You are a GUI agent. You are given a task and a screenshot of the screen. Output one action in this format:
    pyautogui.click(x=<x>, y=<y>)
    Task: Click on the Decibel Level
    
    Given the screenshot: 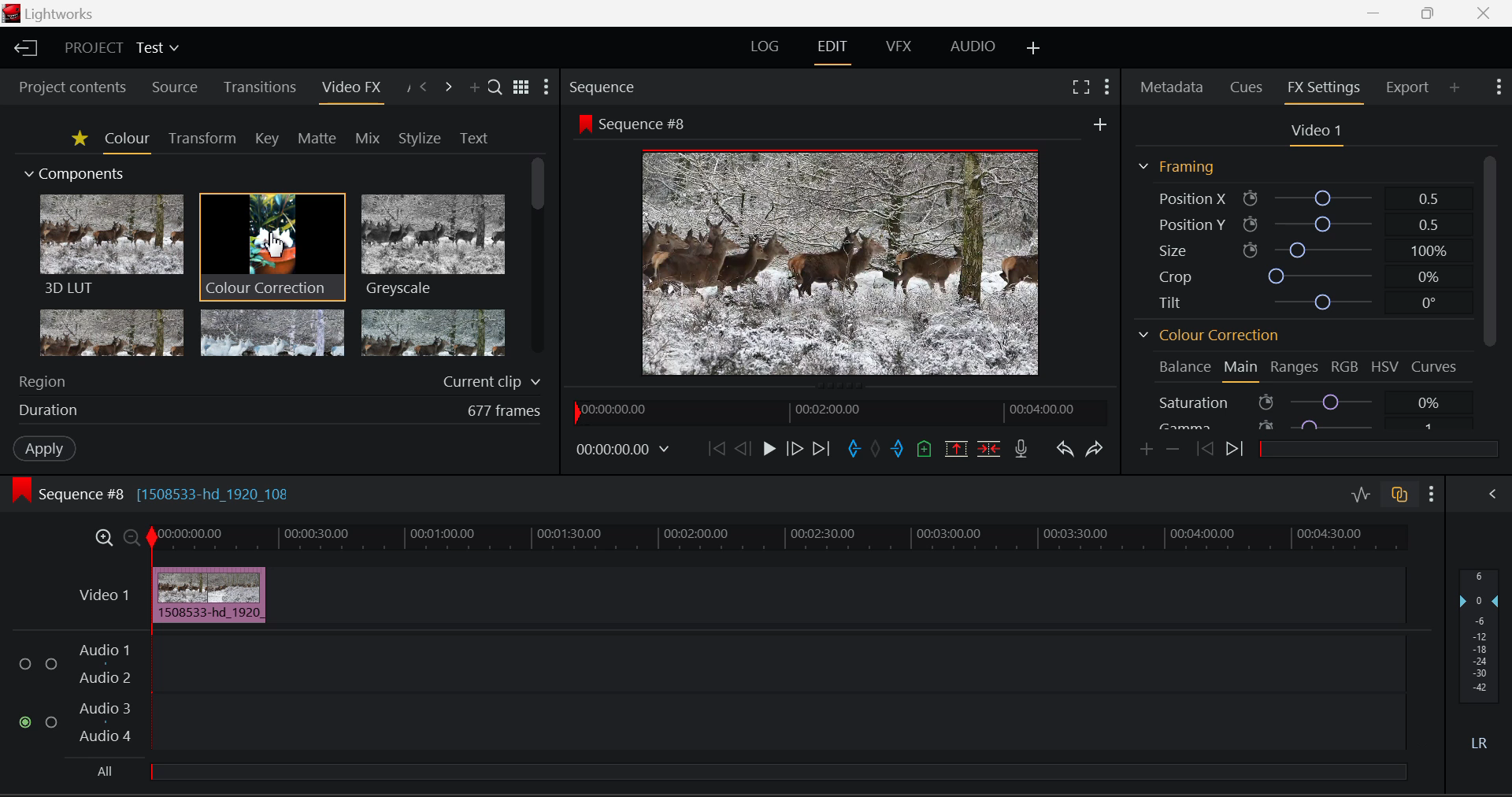 What is the action you would take?
    pyautogui.click(x=1484, y=662)
    